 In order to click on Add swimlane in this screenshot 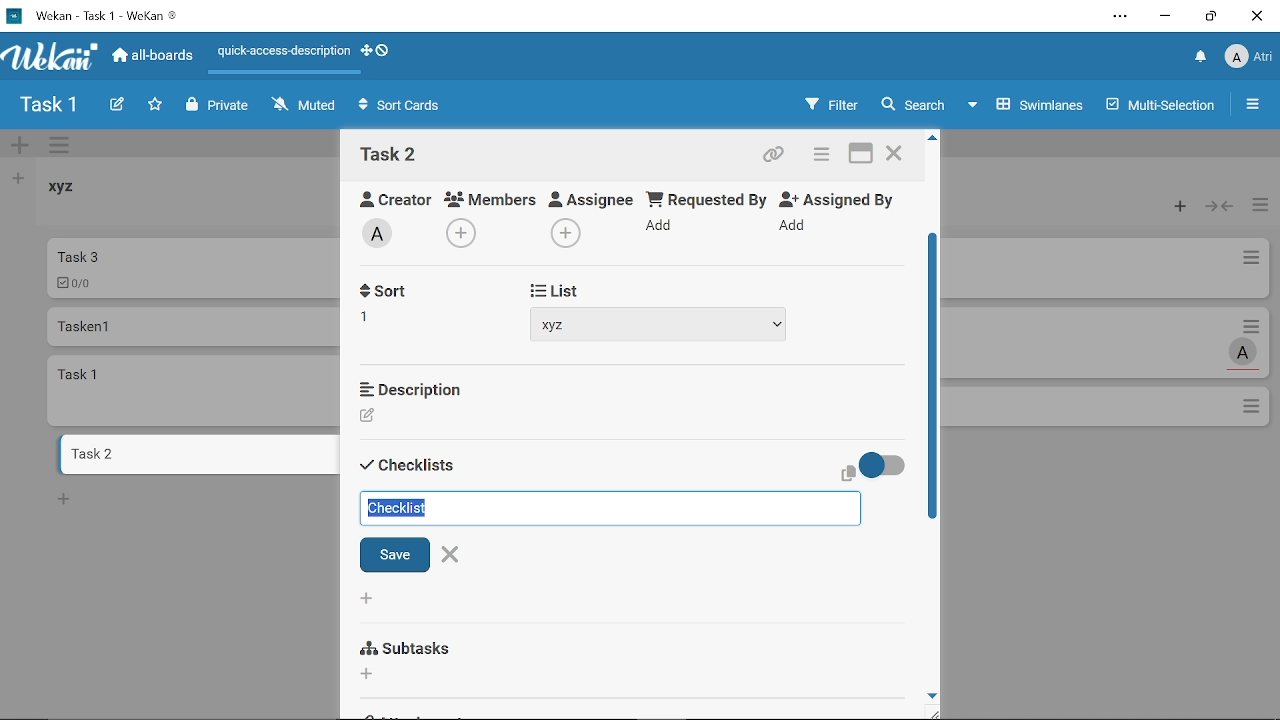, I will do `click(20, 147)`.